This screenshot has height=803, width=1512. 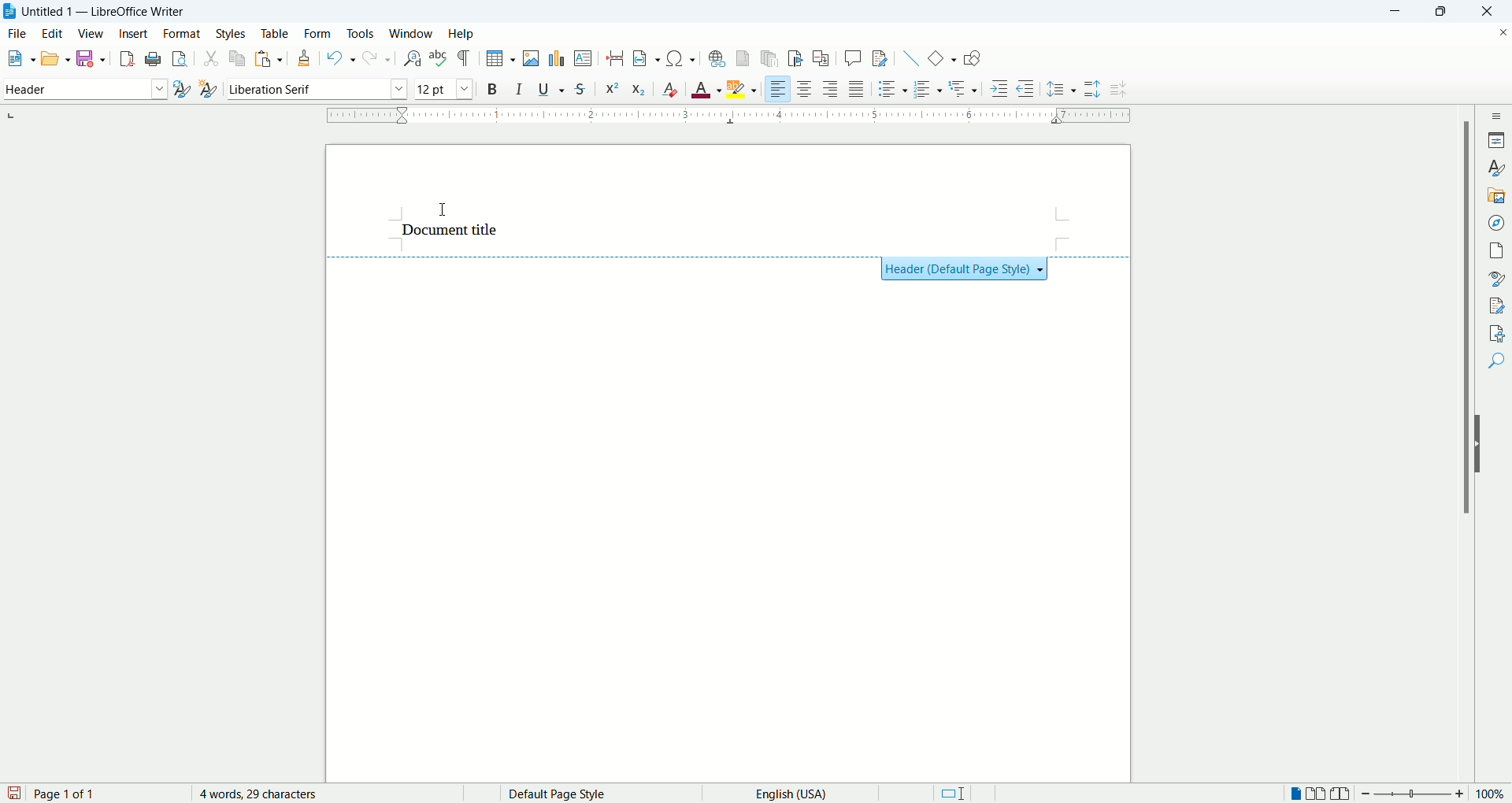 I want to click on insert symbol, so click(x=680, y=57).